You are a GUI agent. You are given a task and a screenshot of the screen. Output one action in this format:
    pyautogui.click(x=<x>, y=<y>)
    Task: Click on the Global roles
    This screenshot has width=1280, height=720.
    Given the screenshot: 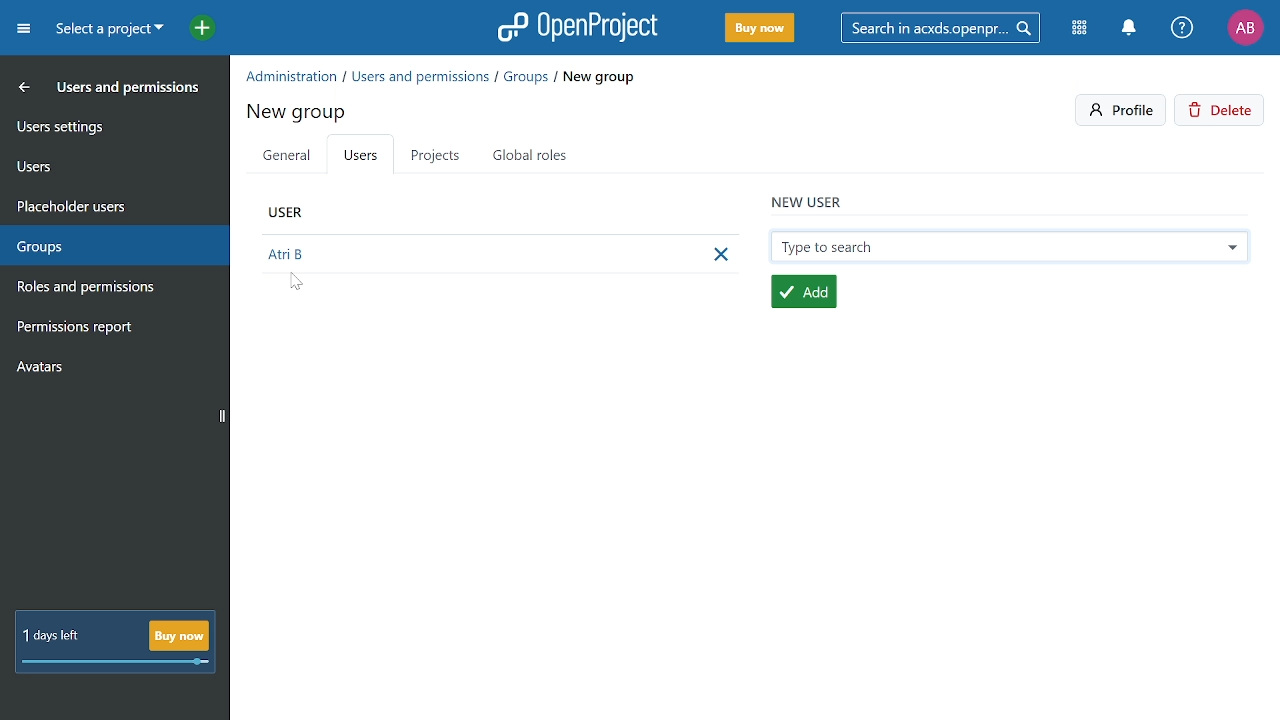 What is the action you would take?
    pyautogui.click(x=534, y=155)
    